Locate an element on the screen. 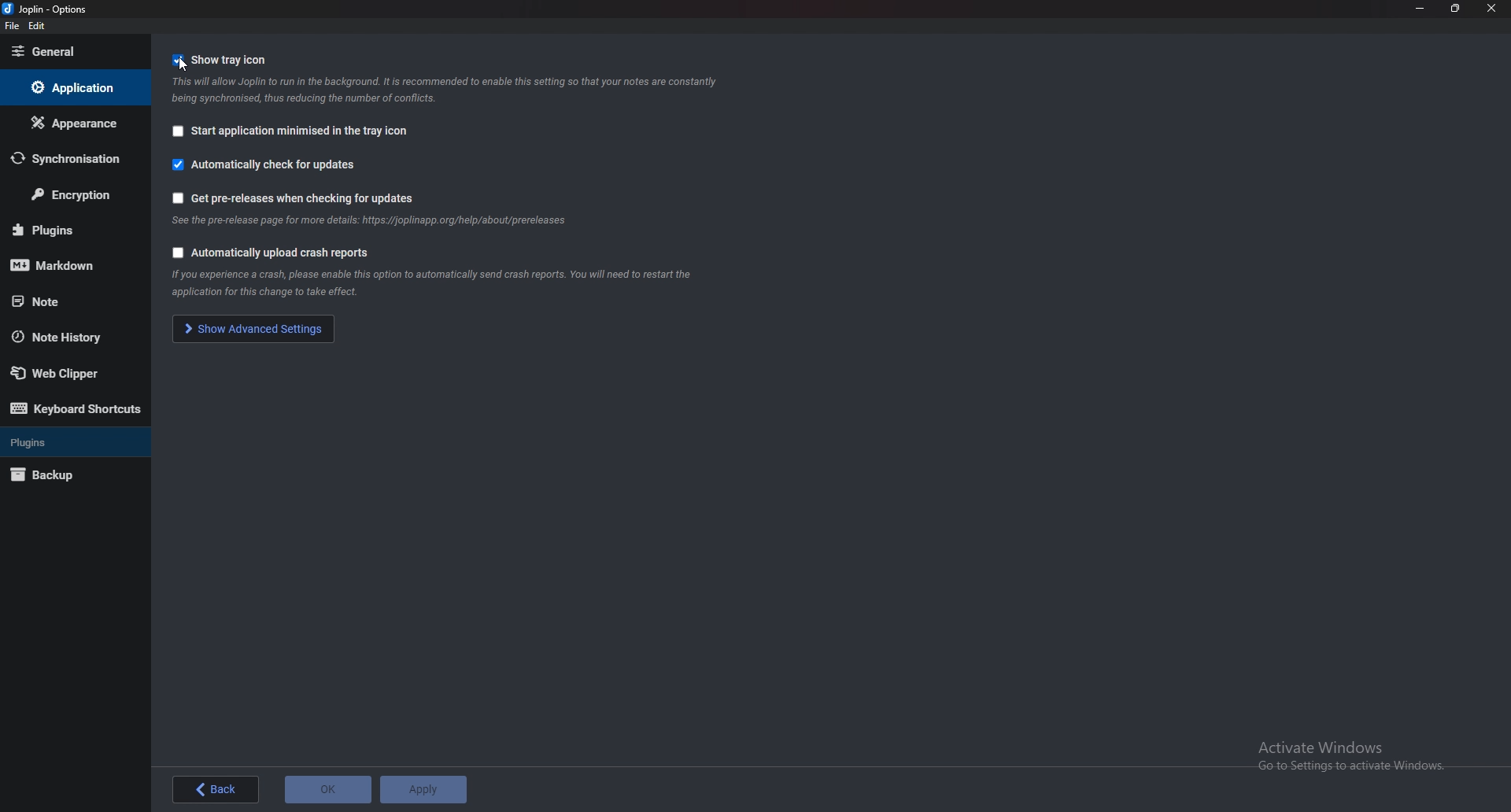 This screenshot has width=1511, height=812. Synchronization is located at coordinates (69, 159).